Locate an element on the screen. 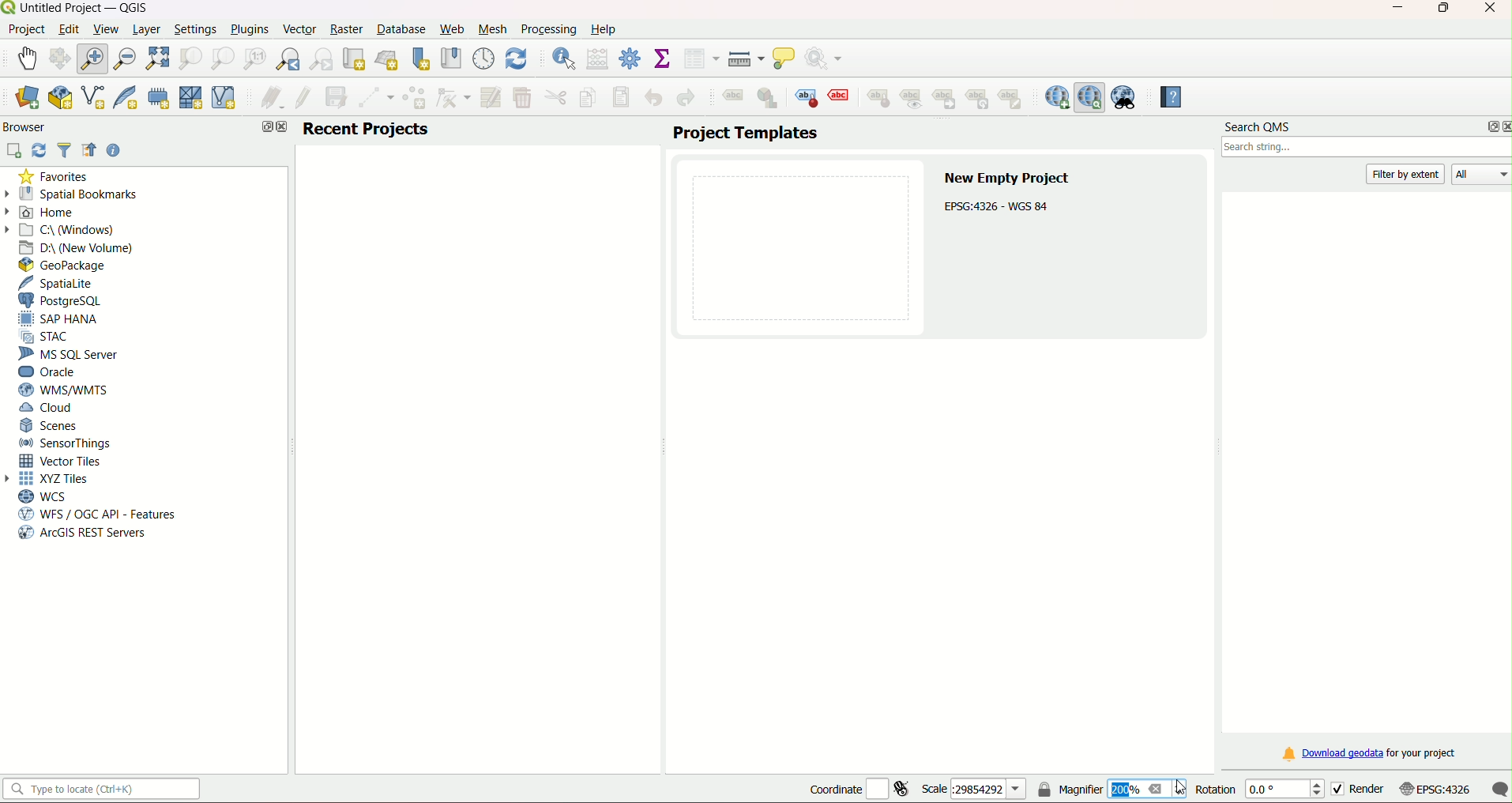 The image size is (1512, 803). open attribute table is located at coordinates (701, 59).